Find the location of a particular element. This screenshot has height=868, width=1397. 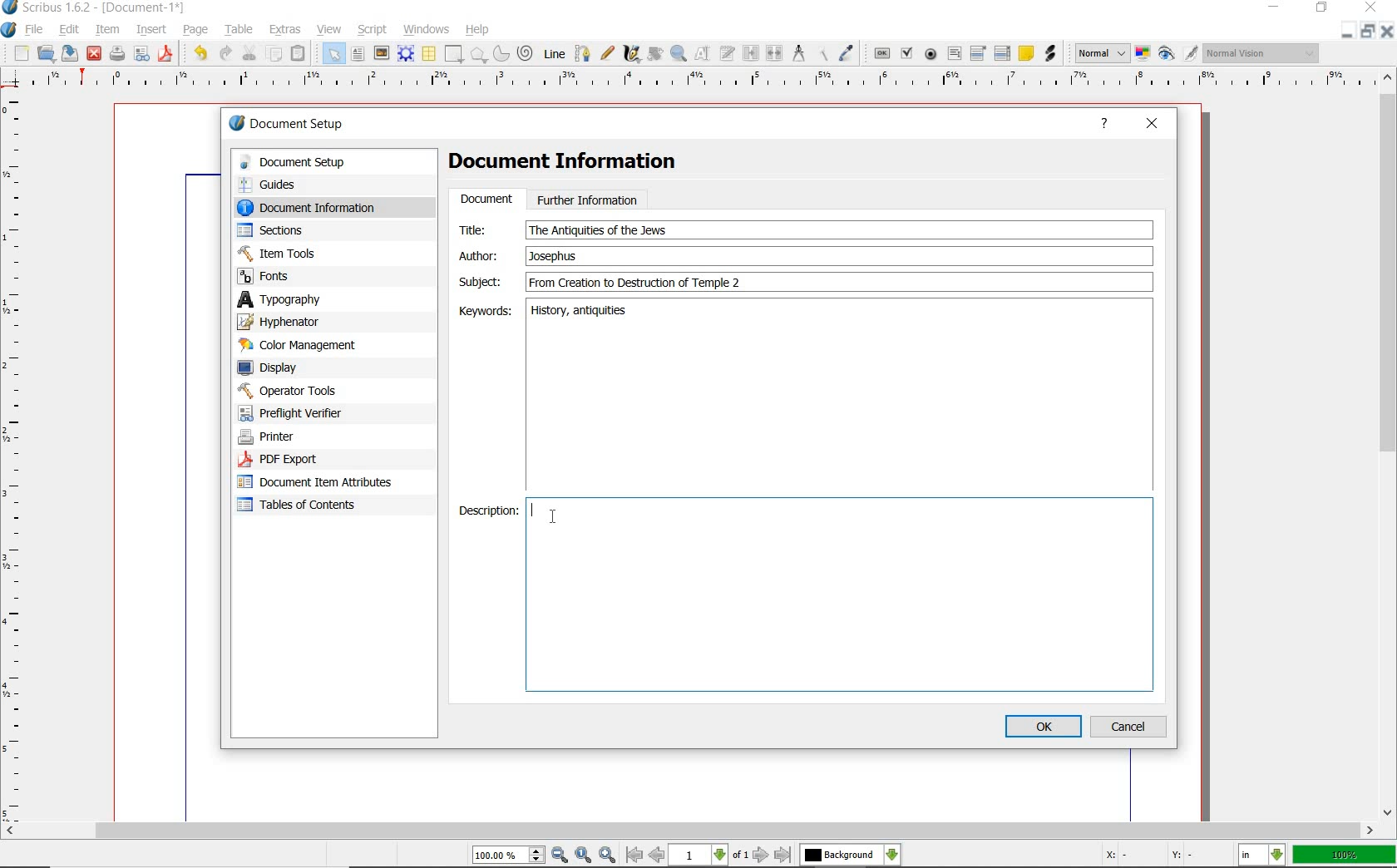

print is located at coordinates (117, 55).